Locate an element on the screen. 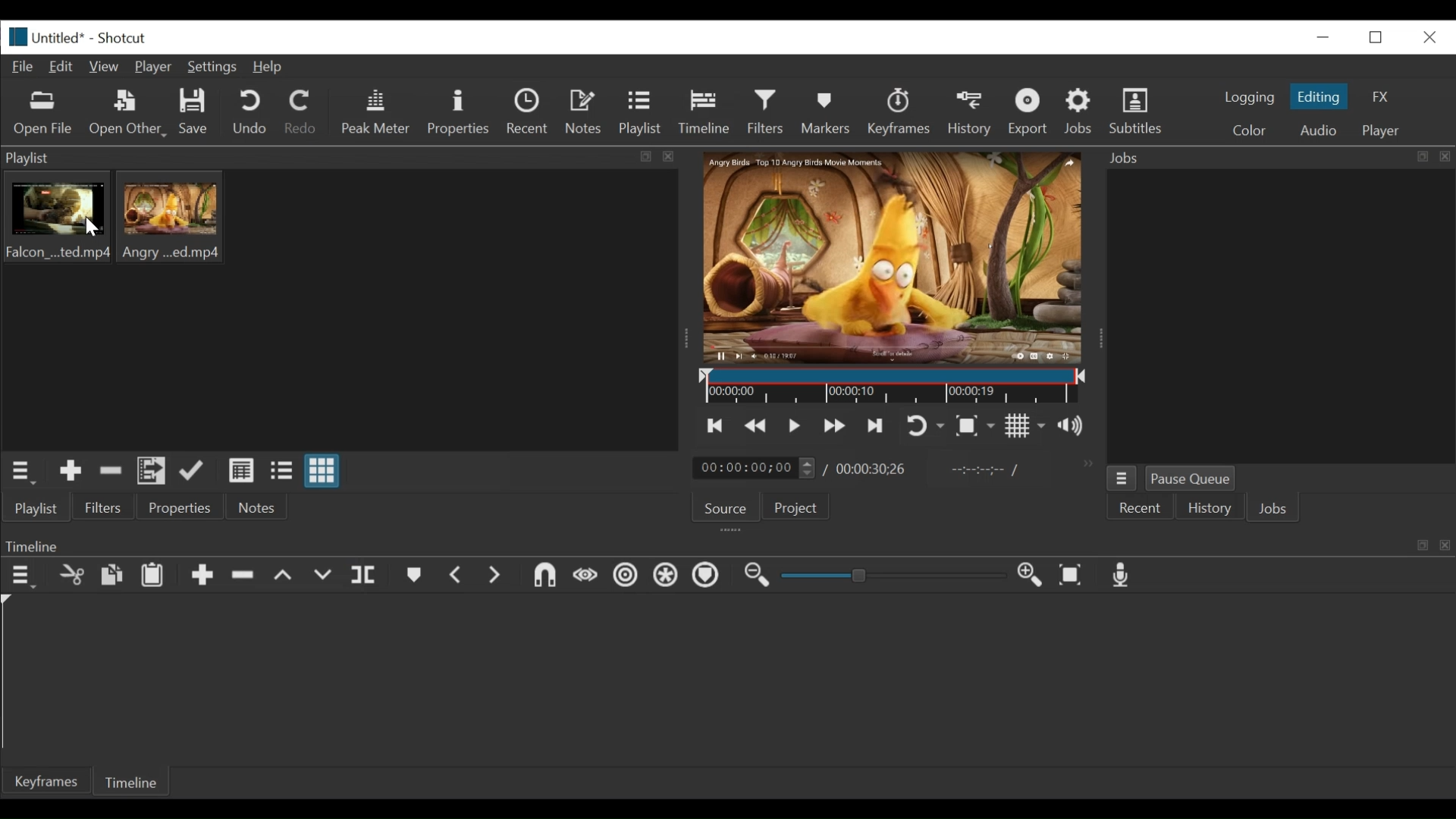 The image size is (1456, 819). playlist is located at coordinates (35, 508).